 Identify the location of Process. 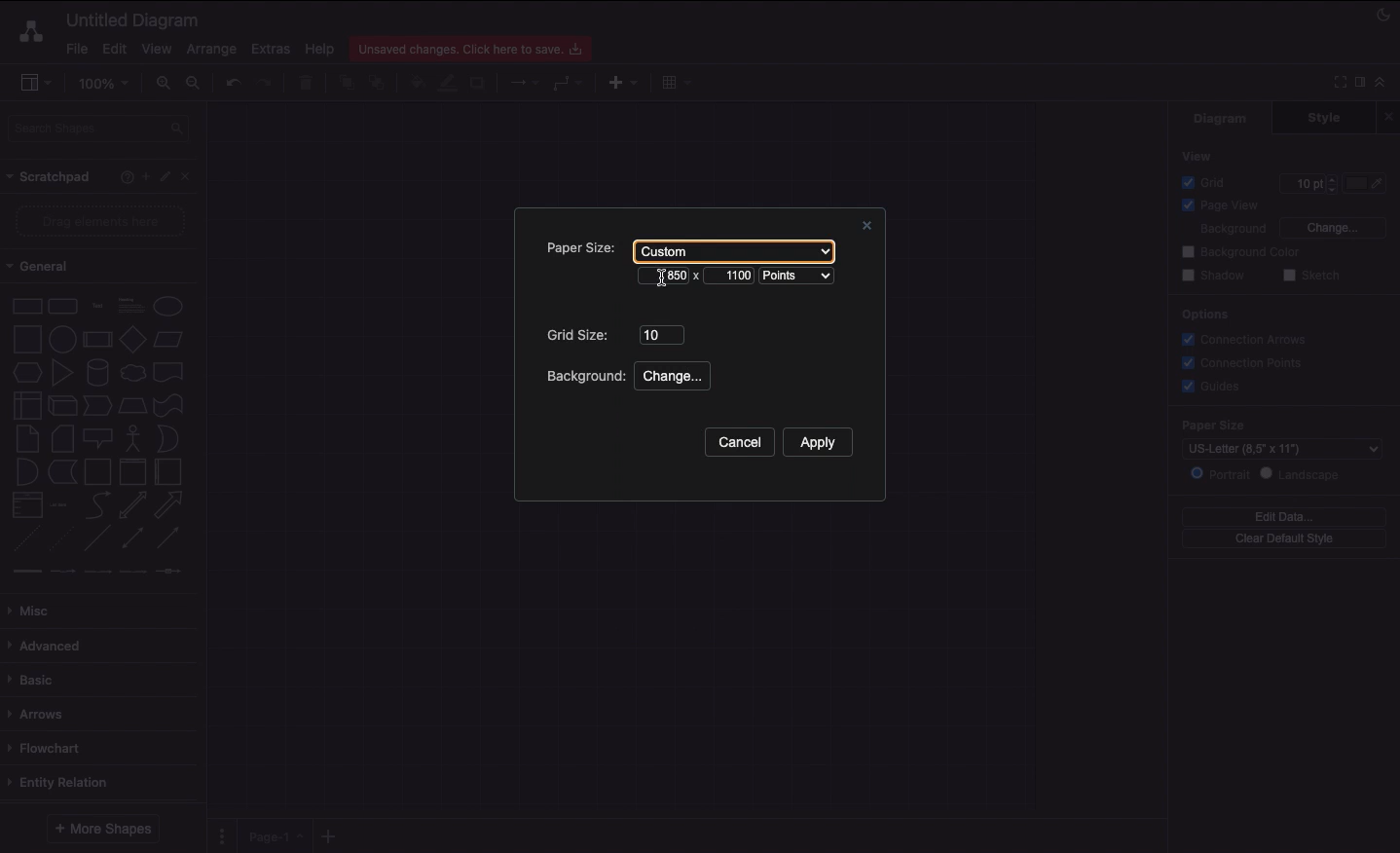
(95, 341).